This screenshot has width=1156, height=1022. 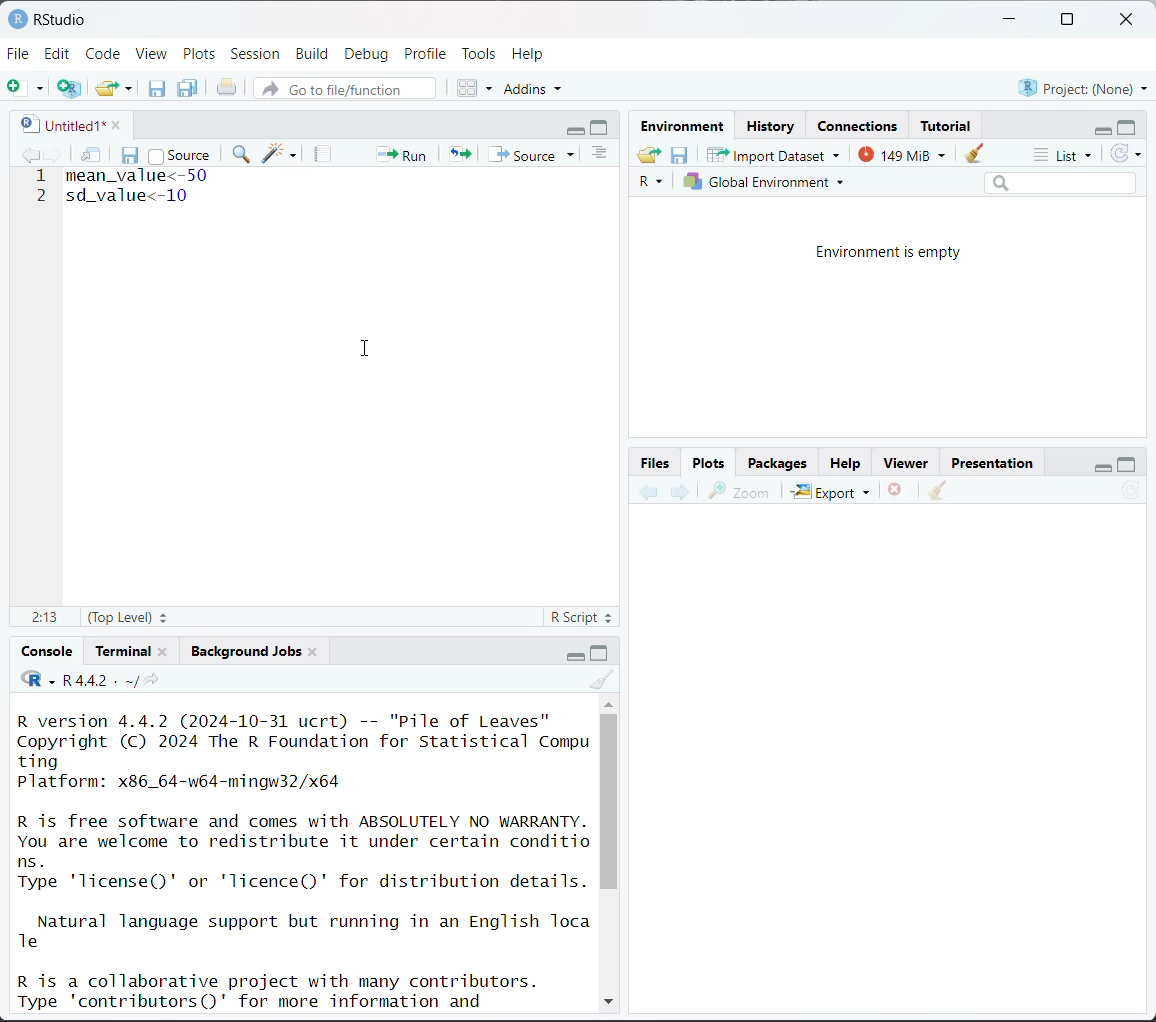 What do you see at coordinates (1099, 128) in the screenshot?
I see `minimize` at bounding box center [1099, 128].